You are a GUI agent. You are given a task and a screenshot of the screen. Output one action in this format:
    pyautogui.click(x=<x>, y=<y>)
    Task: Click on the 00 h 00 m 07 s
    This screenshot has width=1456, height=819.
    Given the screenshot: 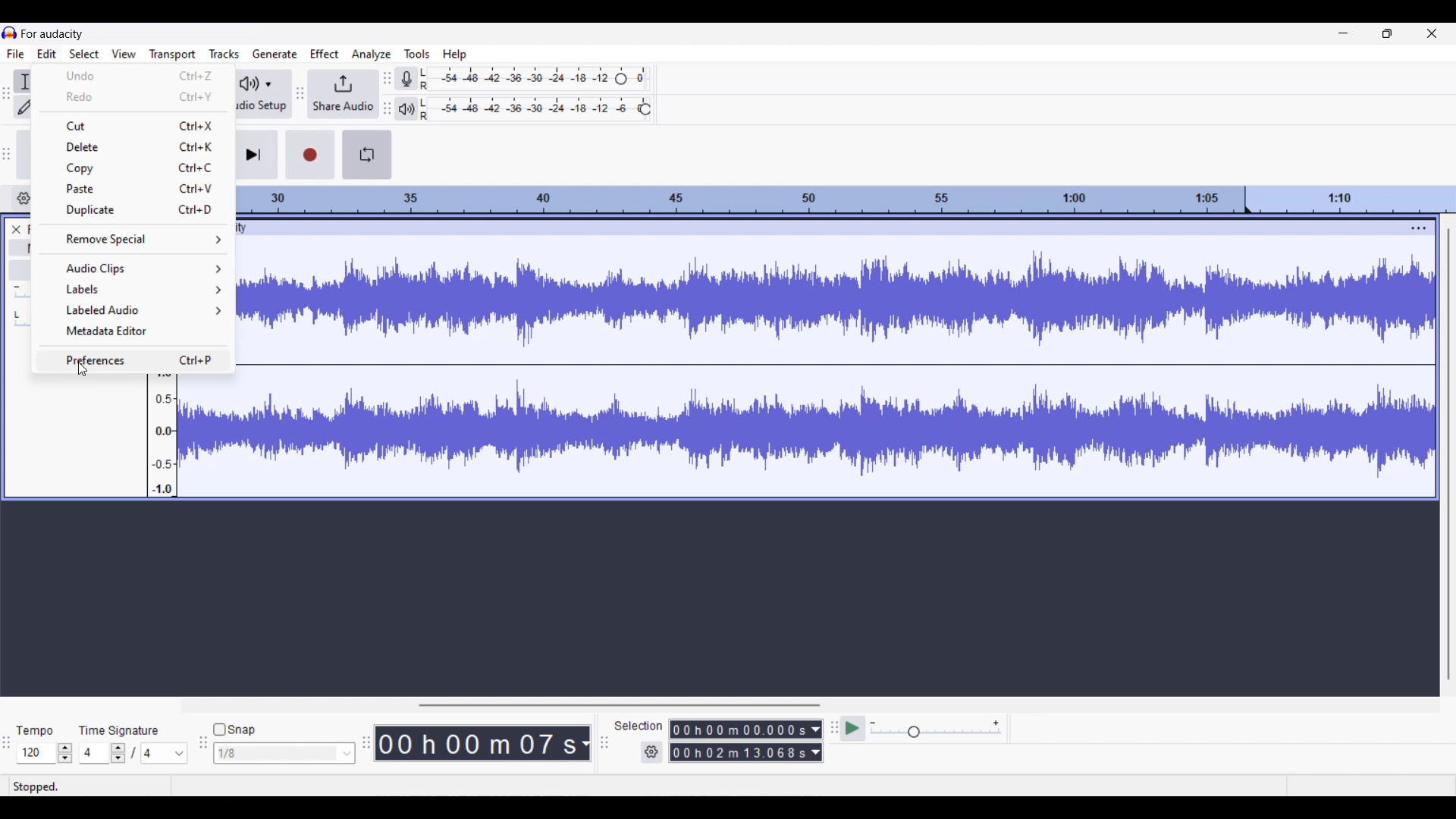 What is the action you would take?
    pyautogui.click(x=476, y=743)
    